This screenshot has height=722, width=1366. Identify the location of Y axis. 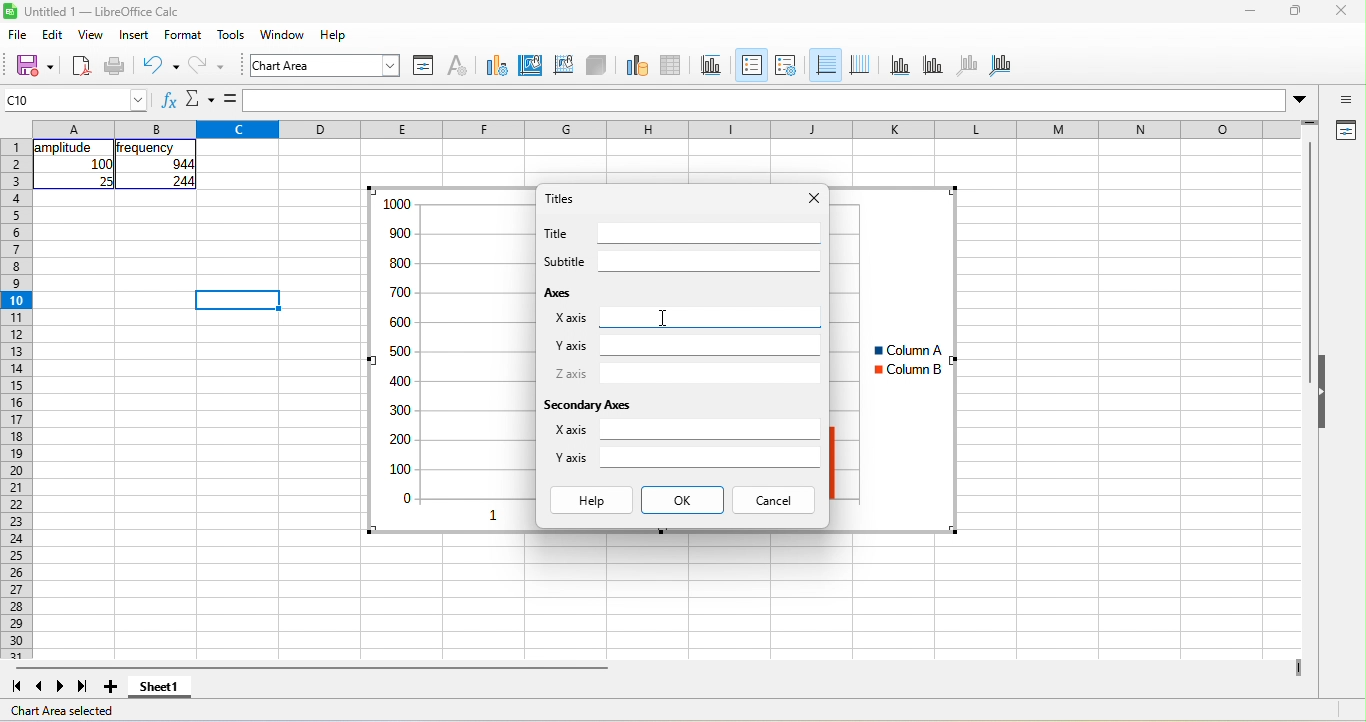
(571, 457).